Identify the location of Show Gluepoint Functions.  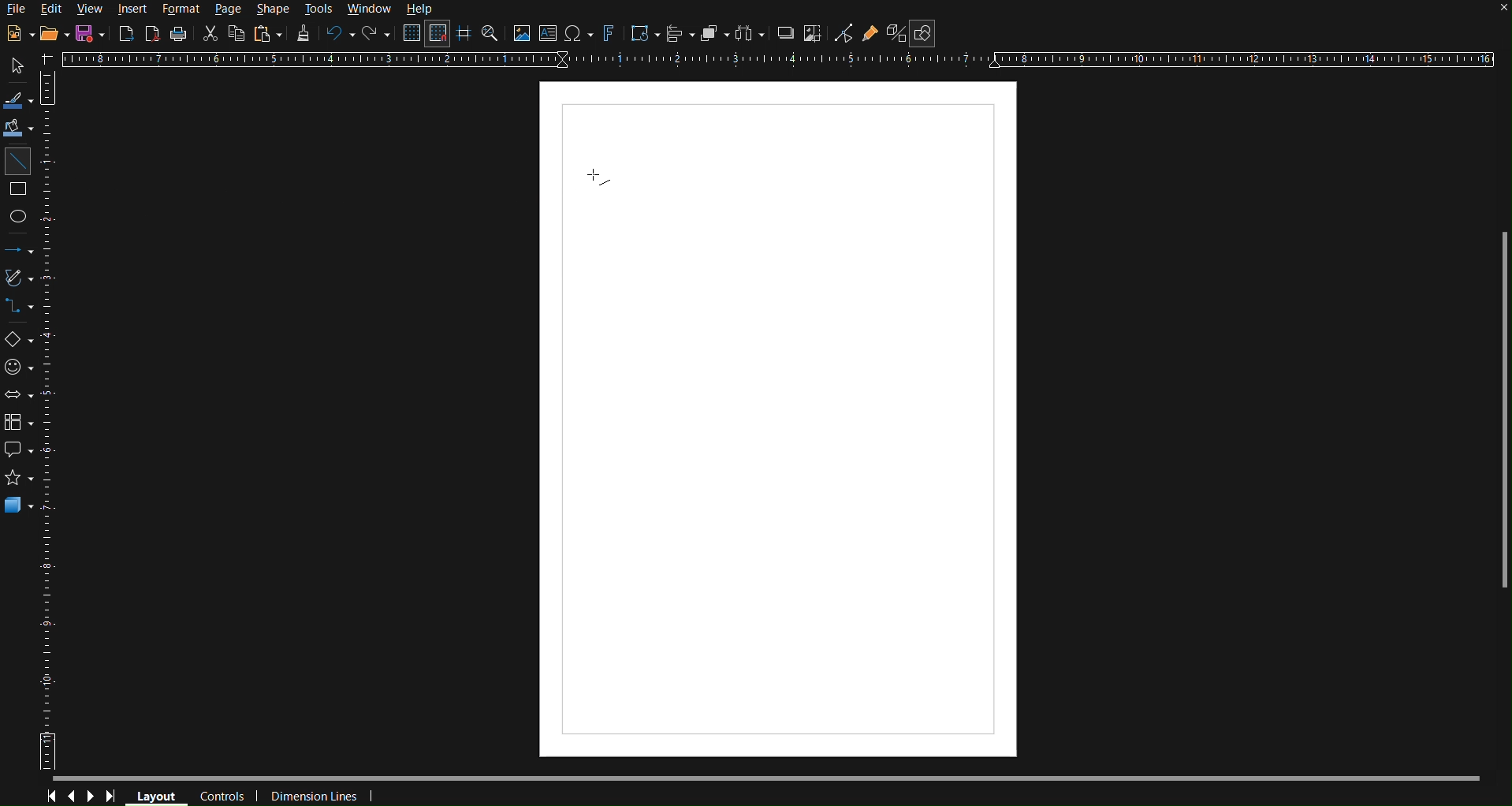
(870, 32).